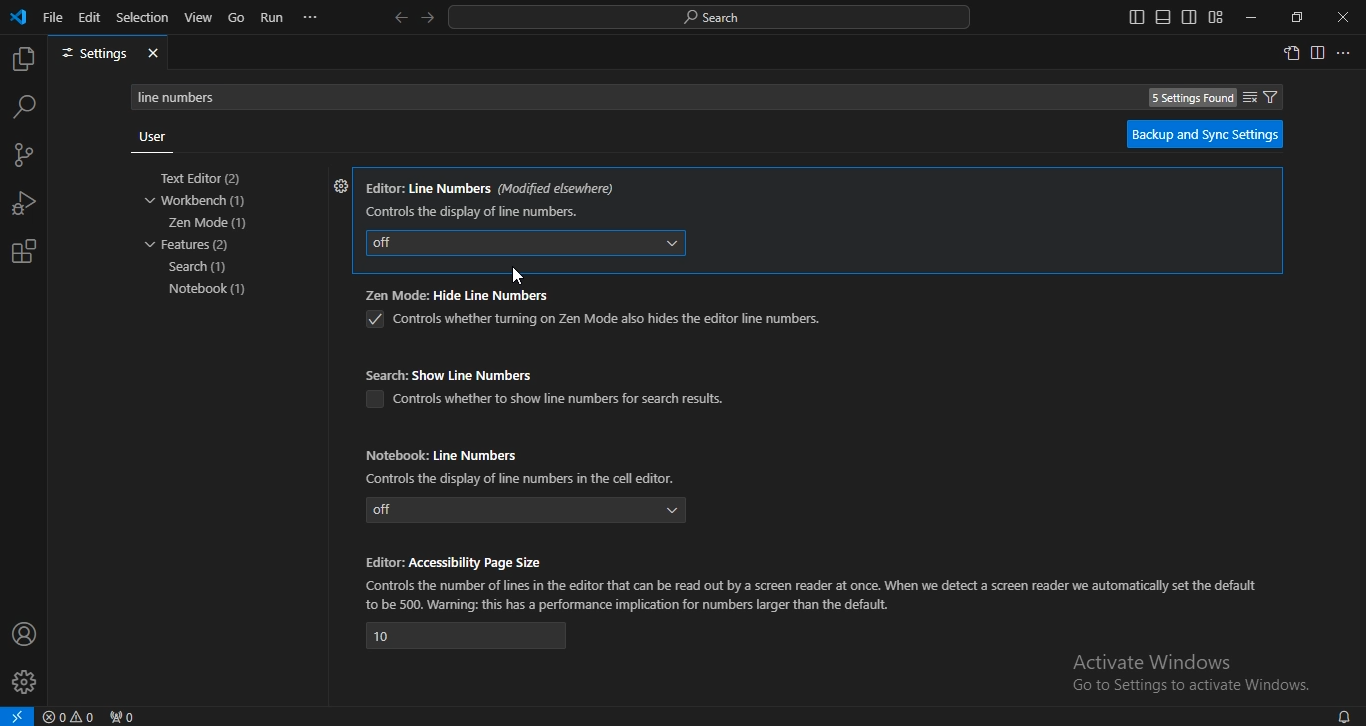 Image resolution: width=1366 pixels, height=726 pixels. Describe the element at coordinates (467, 636) in the screenshot. I see `4` at that location.